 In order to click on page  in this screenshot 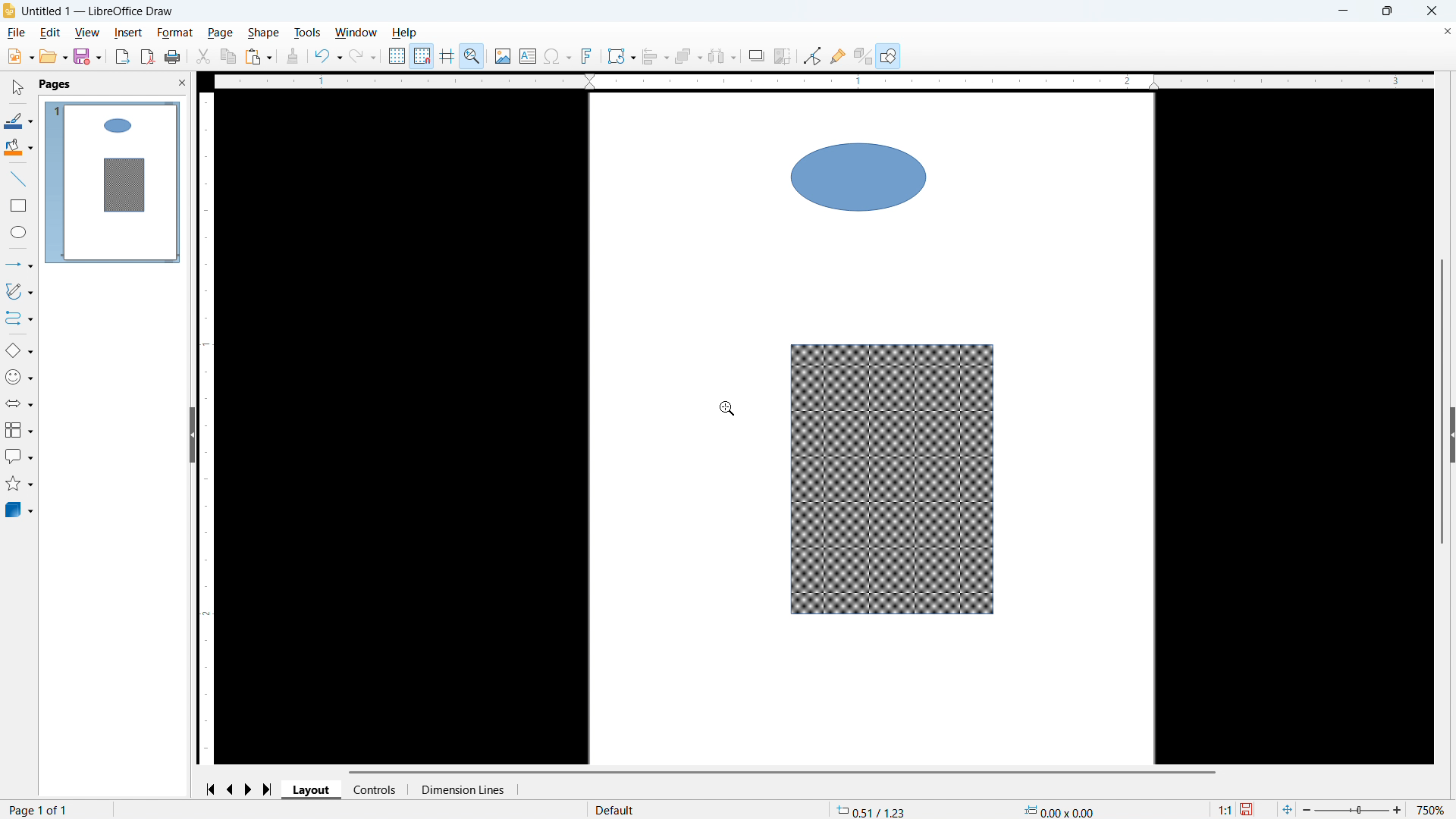, I will do `click(220, 33)`.